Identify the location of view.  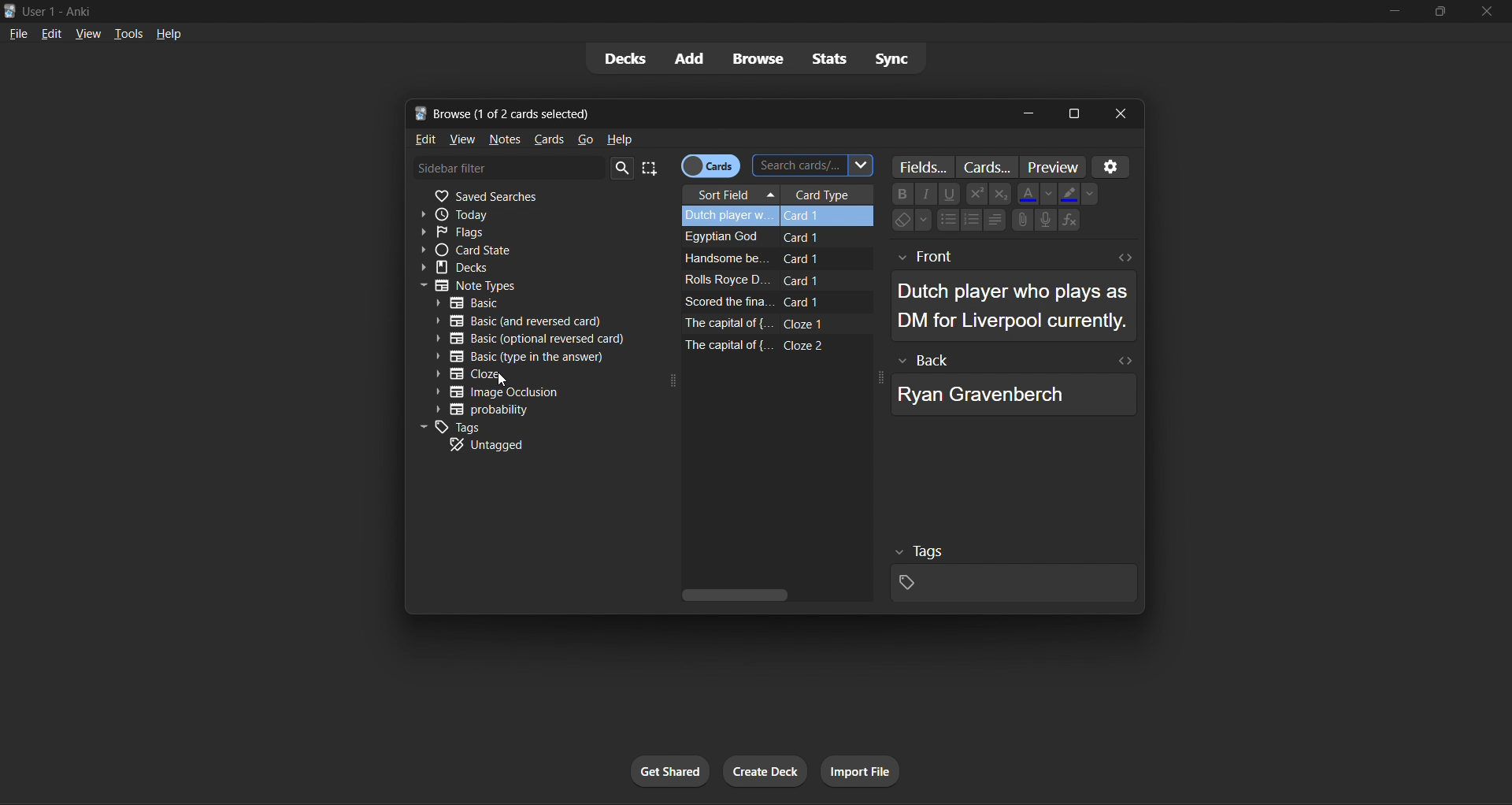
(462, 140).